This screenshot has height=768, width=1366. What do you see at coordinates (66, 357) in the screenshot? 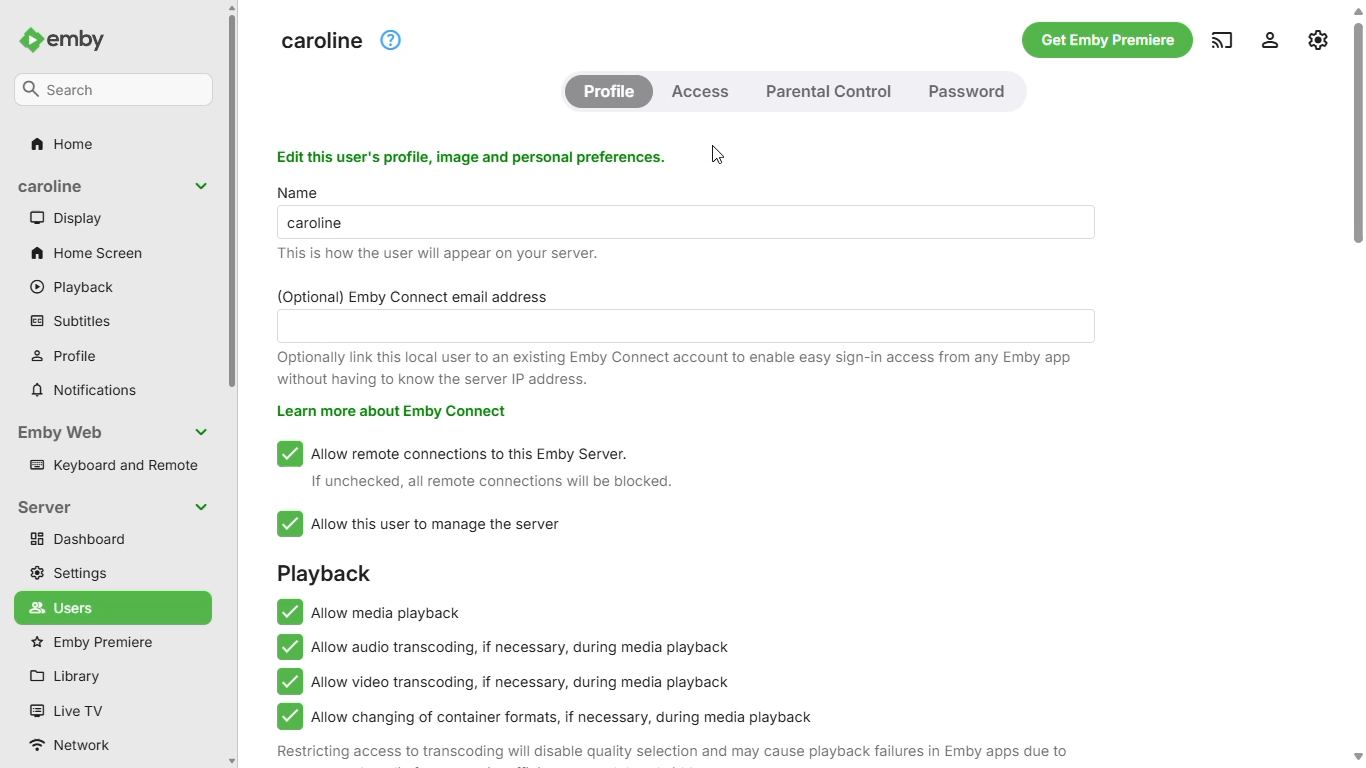
I see `profile` at bounding box center [66, 357].